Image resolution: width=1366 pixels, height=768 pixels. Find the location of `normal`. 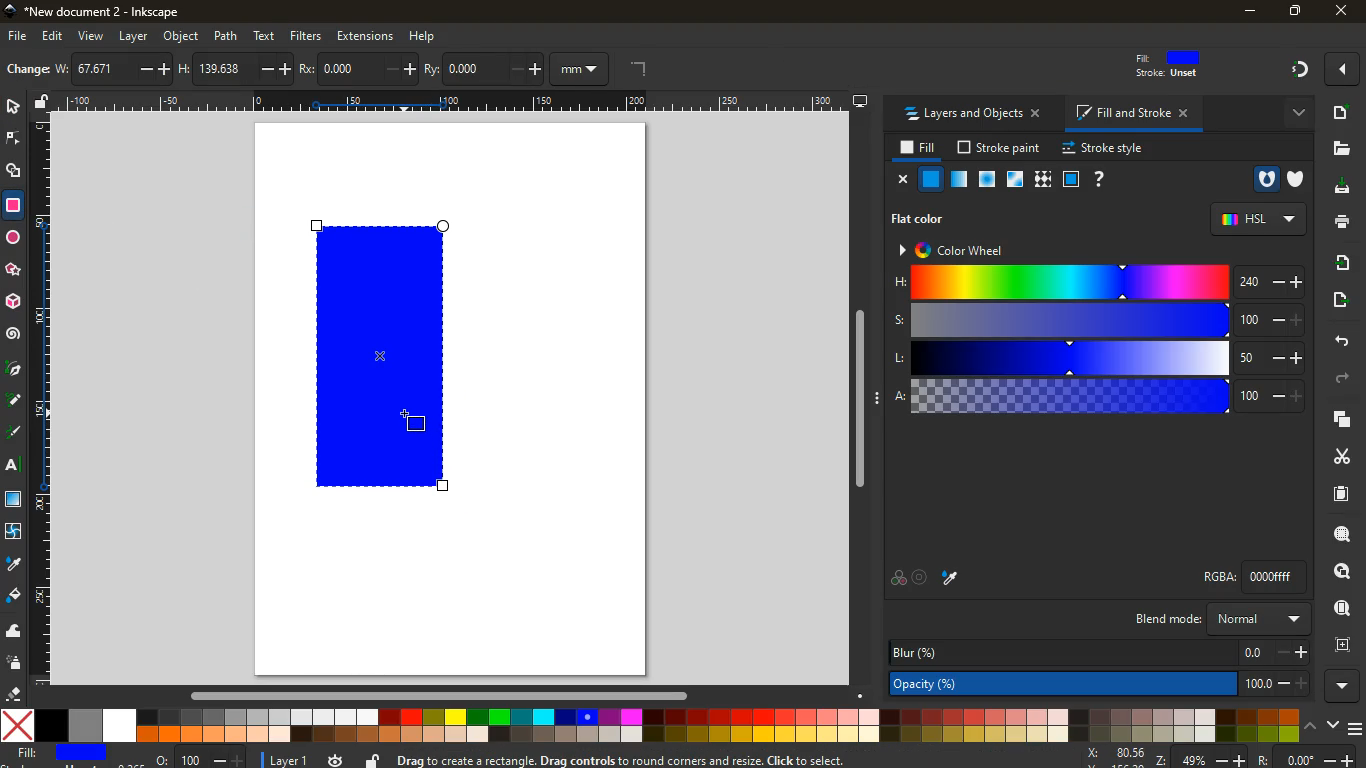

normal is located at coordinates (930, 179).